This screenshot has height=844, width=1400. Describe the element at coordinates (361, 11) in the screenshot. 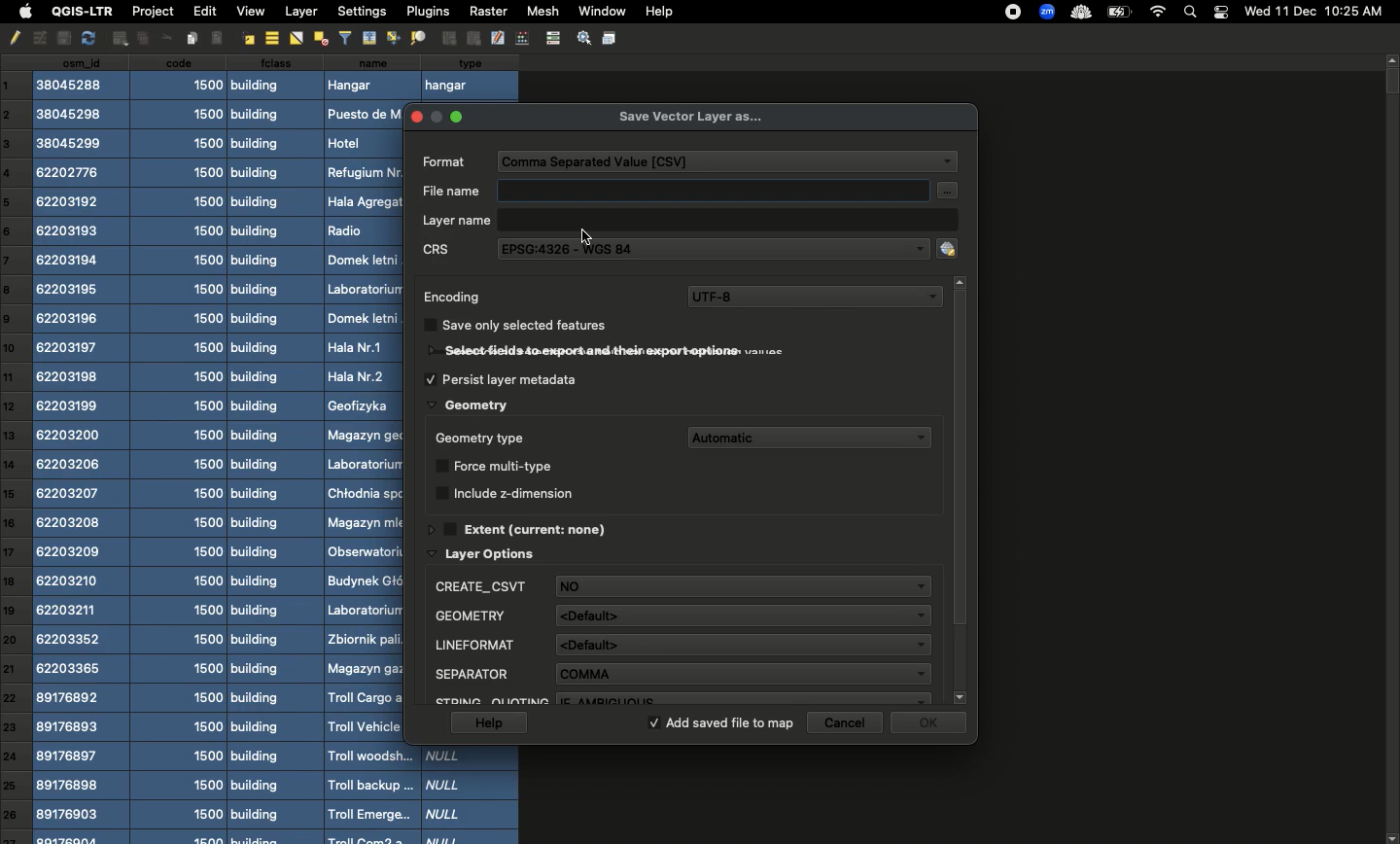

I see `Settings` at that location.